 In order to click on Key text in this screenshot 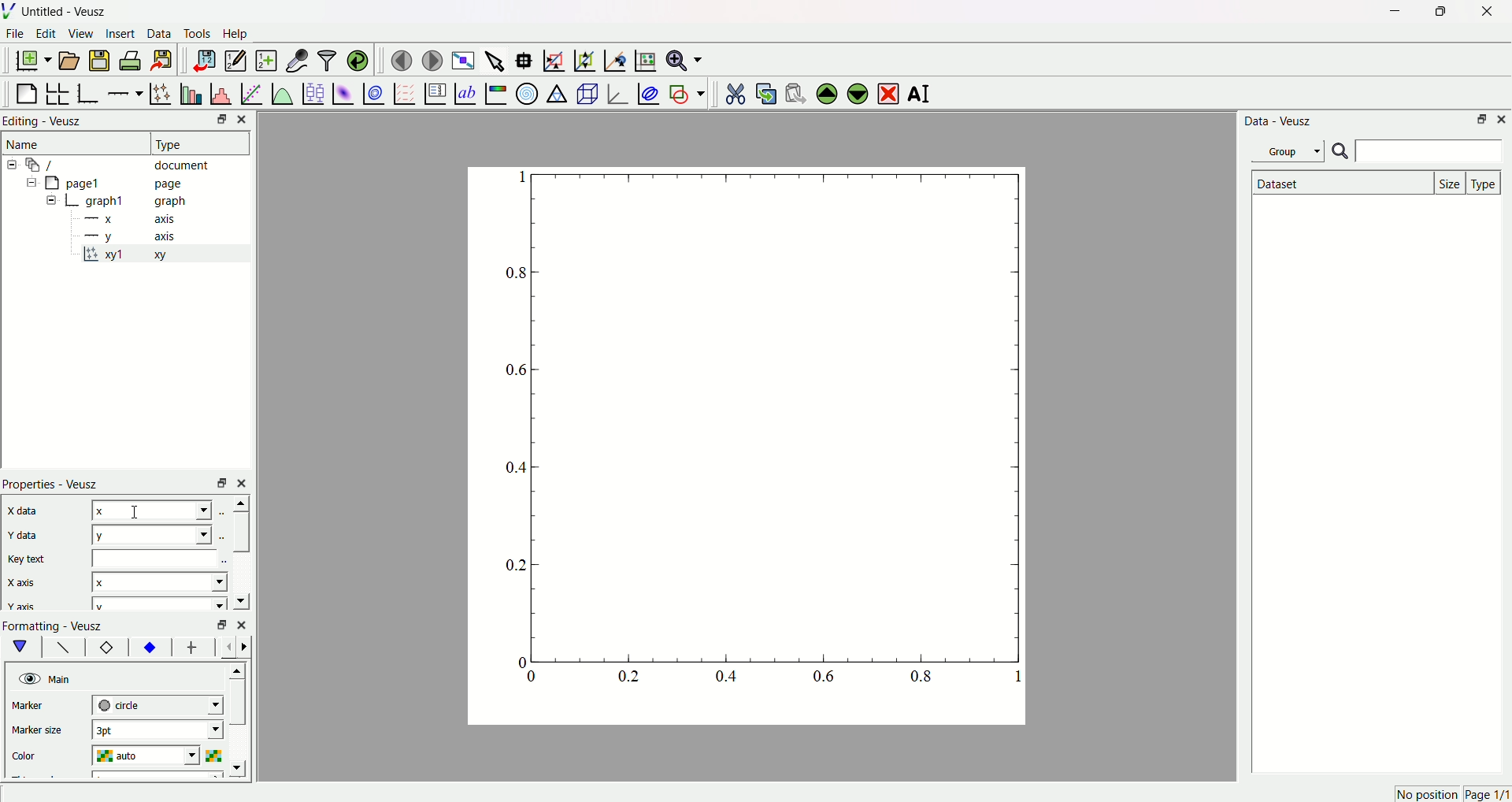, I will do `click(28, 559)`.